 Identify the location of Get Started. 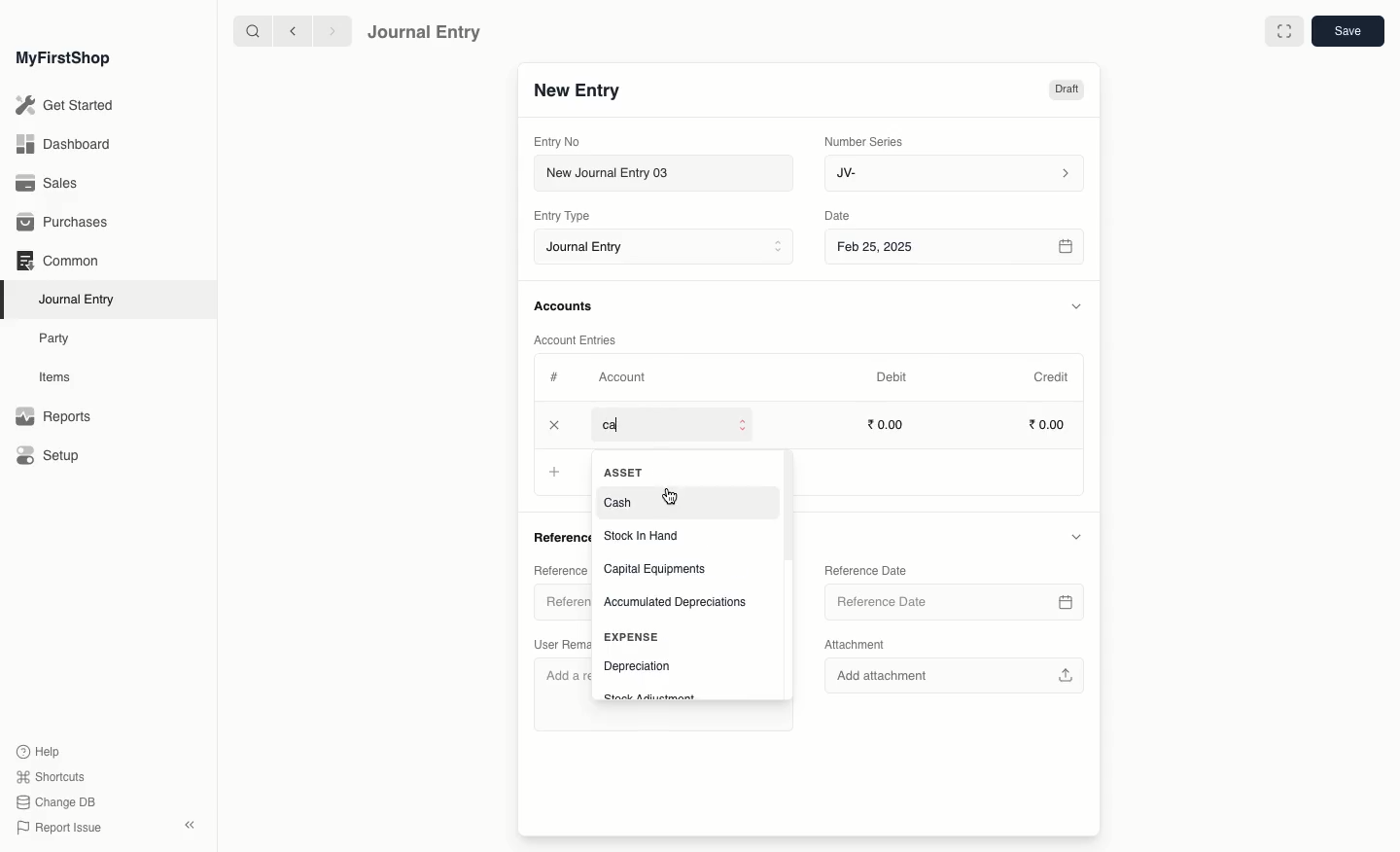
(66, 106).